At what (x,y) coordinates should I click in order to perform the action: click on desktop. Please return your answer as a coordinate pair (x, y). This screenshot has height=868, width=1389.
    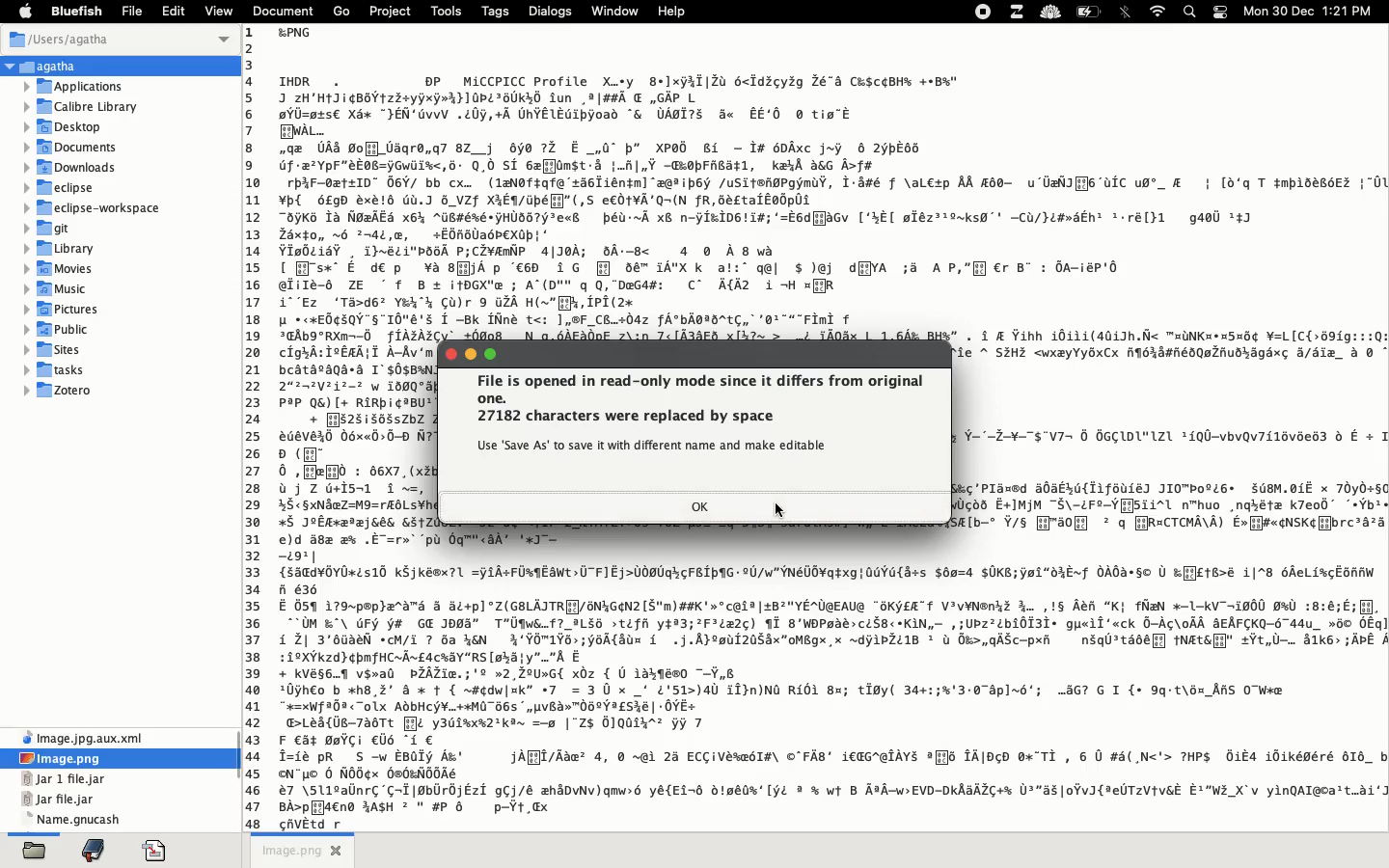
    Looking at the image, I should click on (66, 125).